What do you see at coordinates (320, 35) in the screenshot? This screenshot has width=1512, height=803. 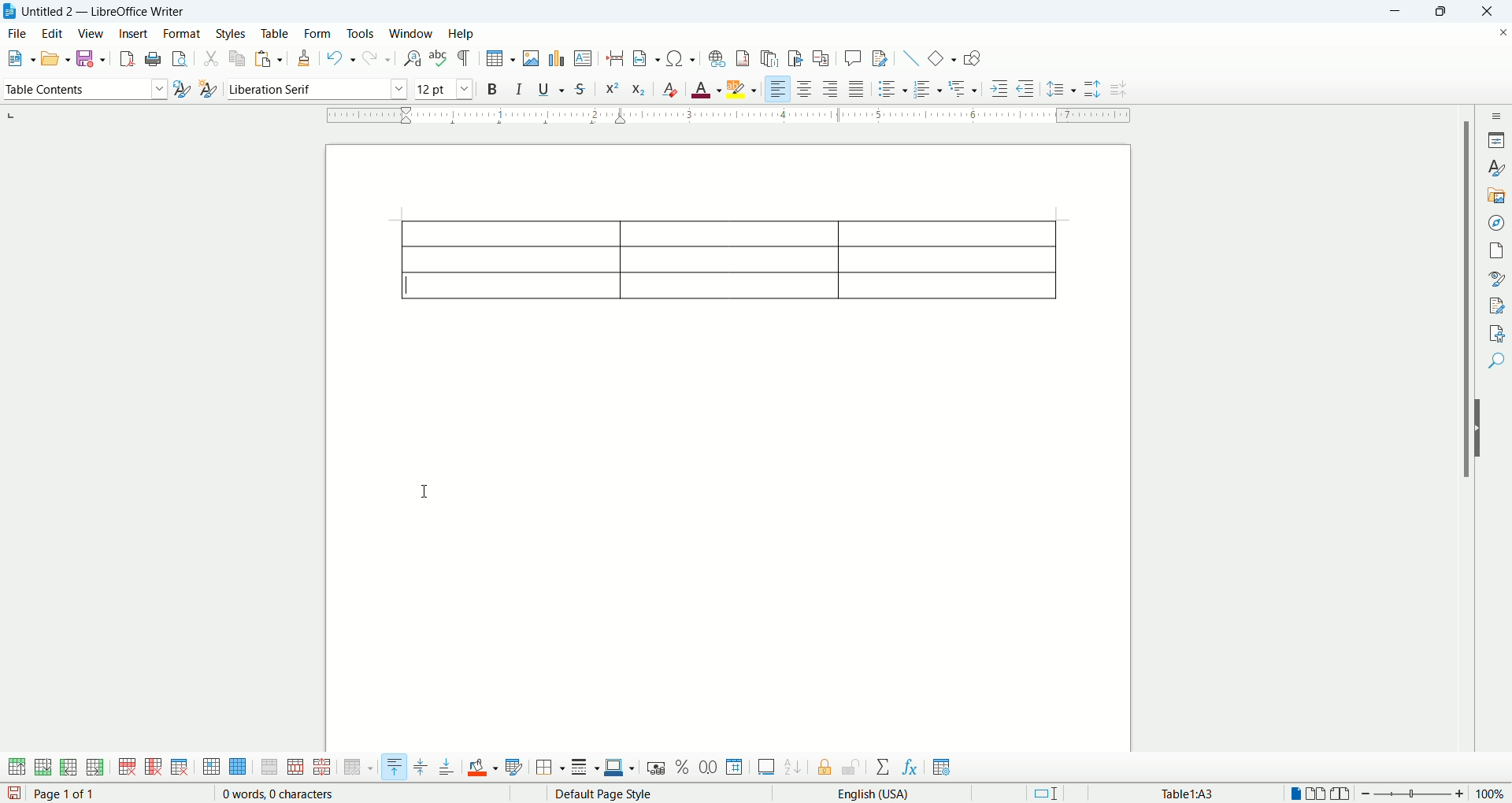 I see `form` at bounding box center [320, 35].